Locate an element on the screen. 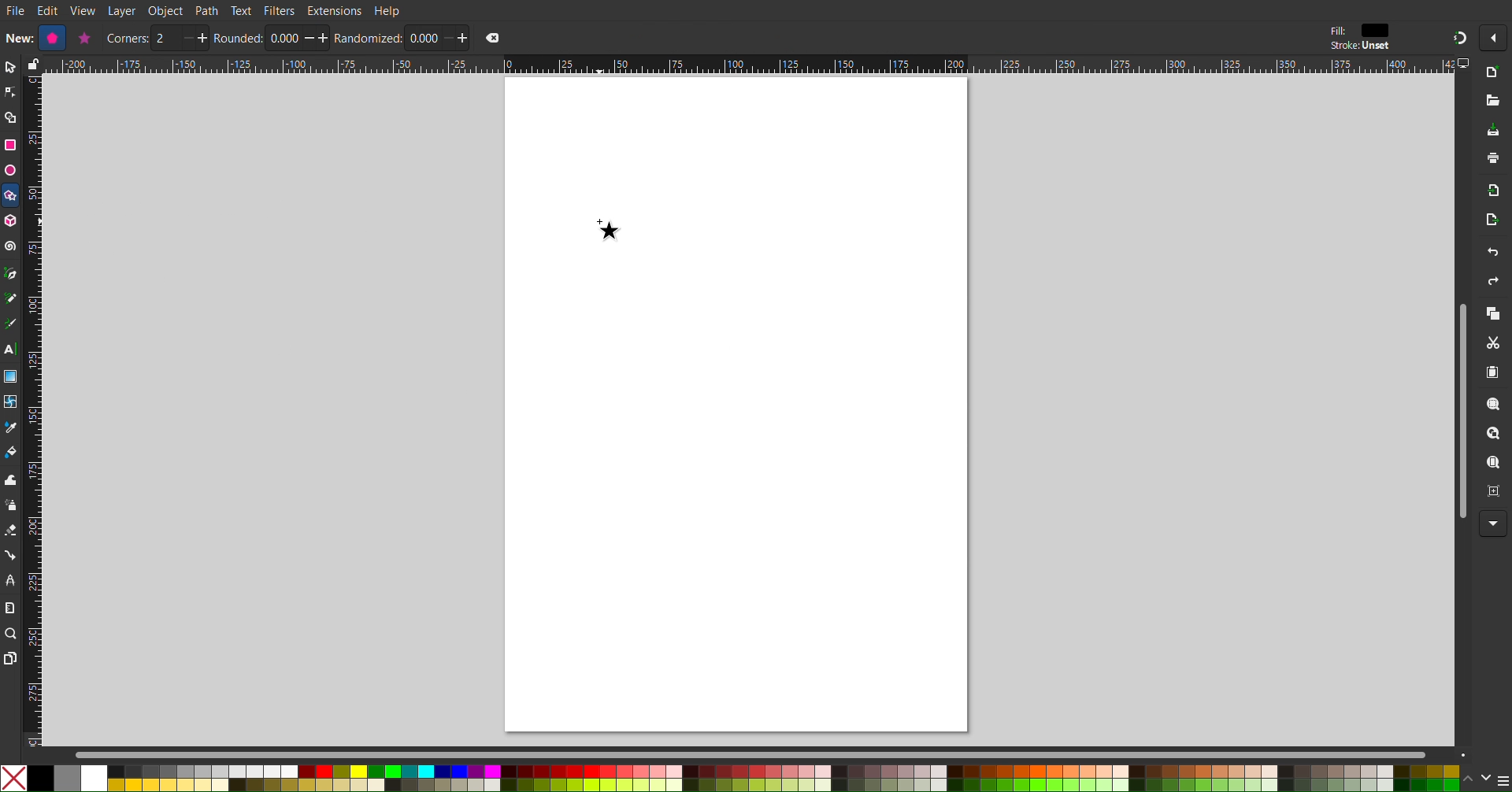  Help is located at coordinates (388, 10).